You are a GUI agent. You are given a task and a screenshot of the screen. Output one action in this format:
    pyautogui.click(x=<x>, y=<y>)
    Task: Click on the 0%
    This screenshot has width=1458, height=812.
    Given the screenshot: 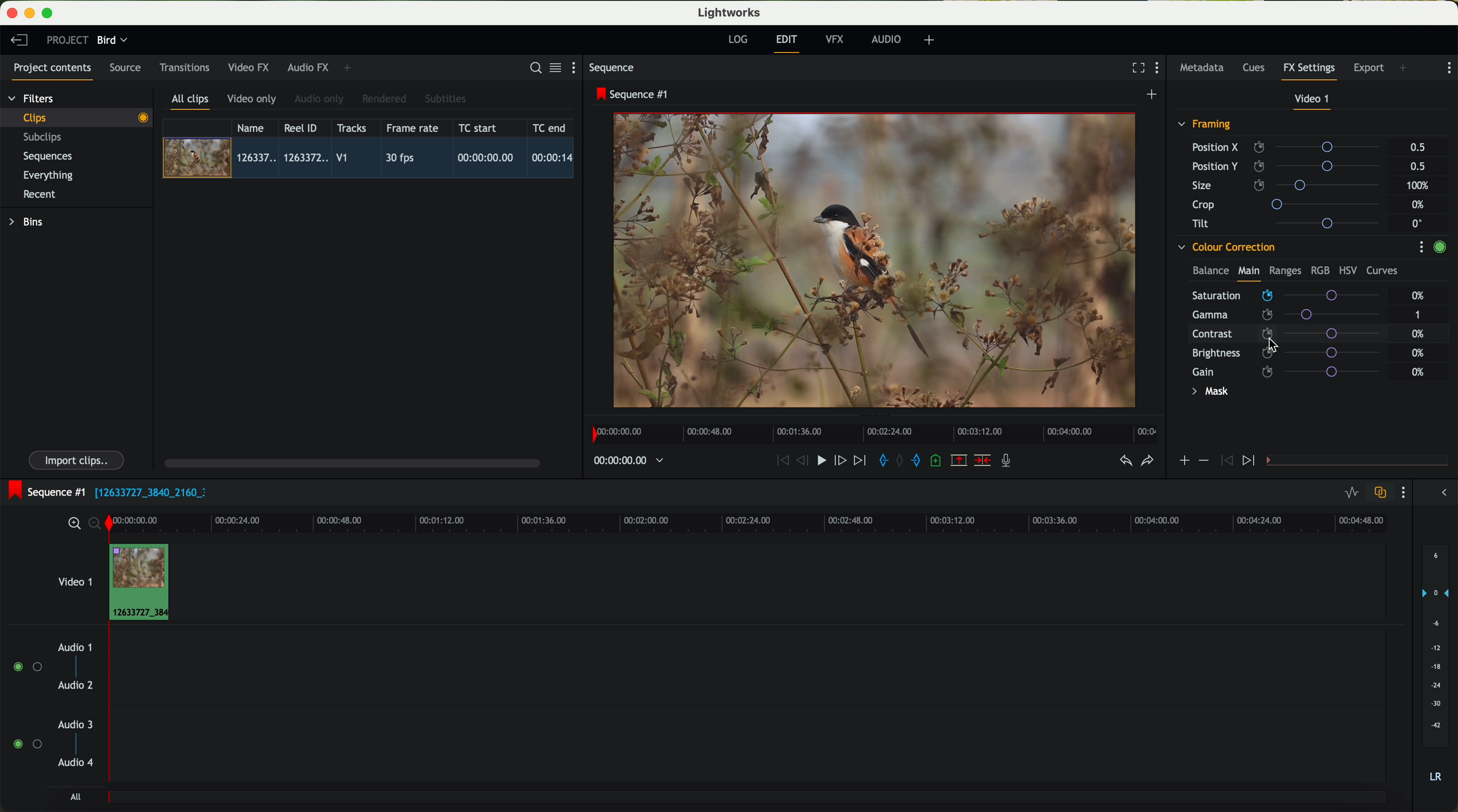 What is the action you would take?
    pyautogui.click(x=1418, y=372)
    